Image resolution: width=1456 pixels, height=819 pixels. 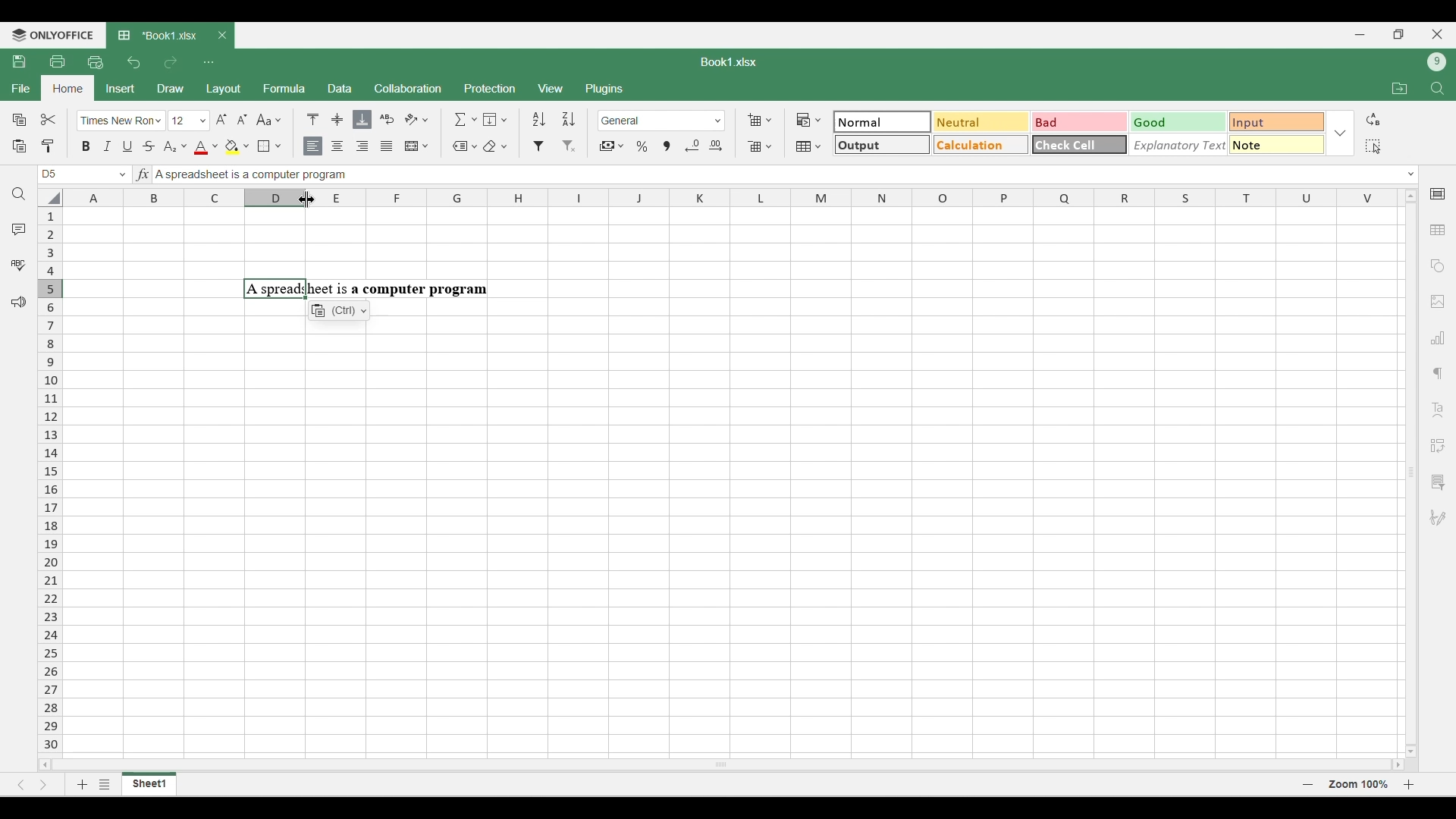 What do you see at coordinates (1411, 174) in the screenshot?
I see `Expand type space` at bounding box center [1411, 174].